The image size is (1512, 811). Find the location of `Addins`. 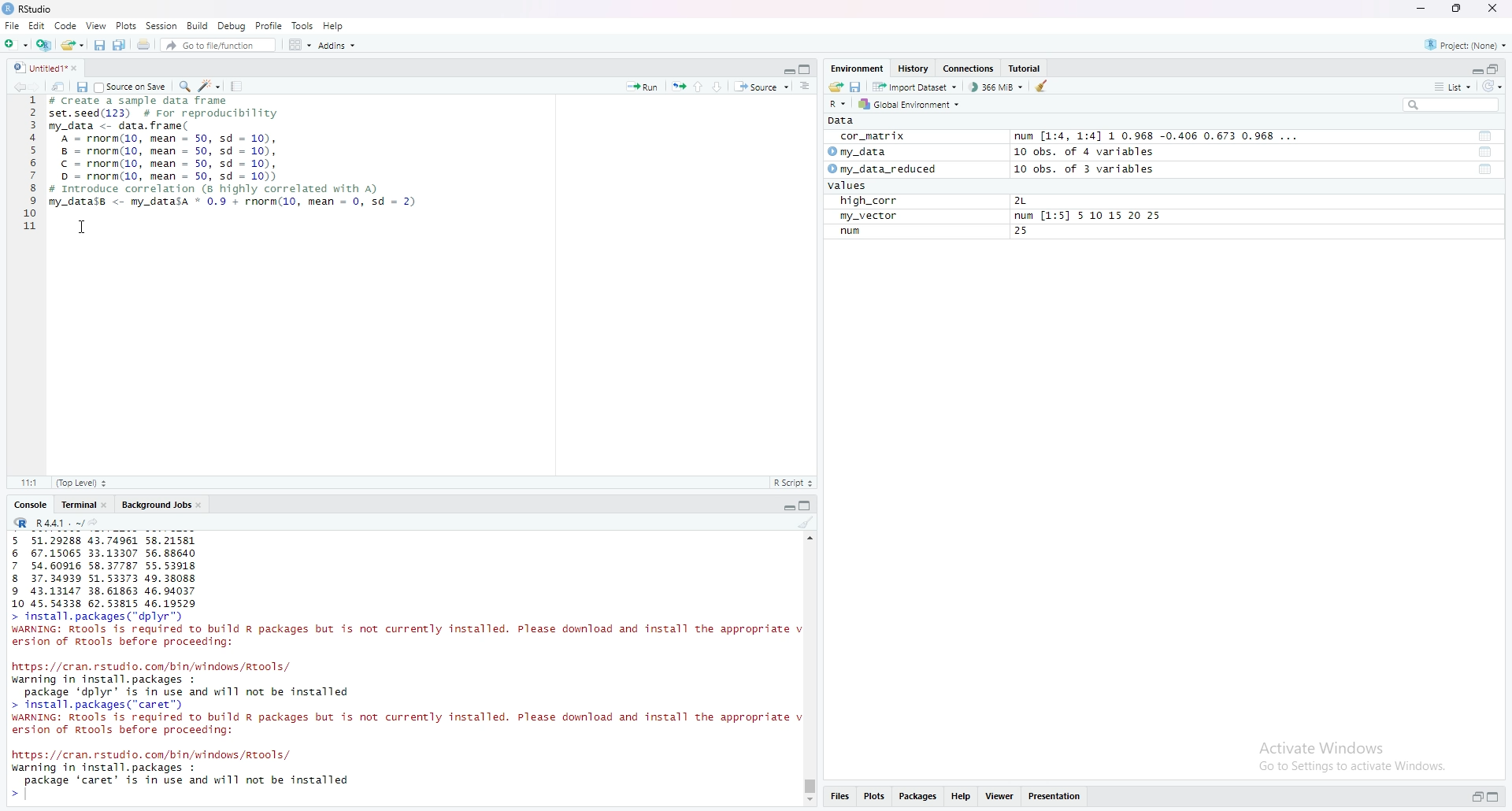

Addins is located at coordinates (339, 46).